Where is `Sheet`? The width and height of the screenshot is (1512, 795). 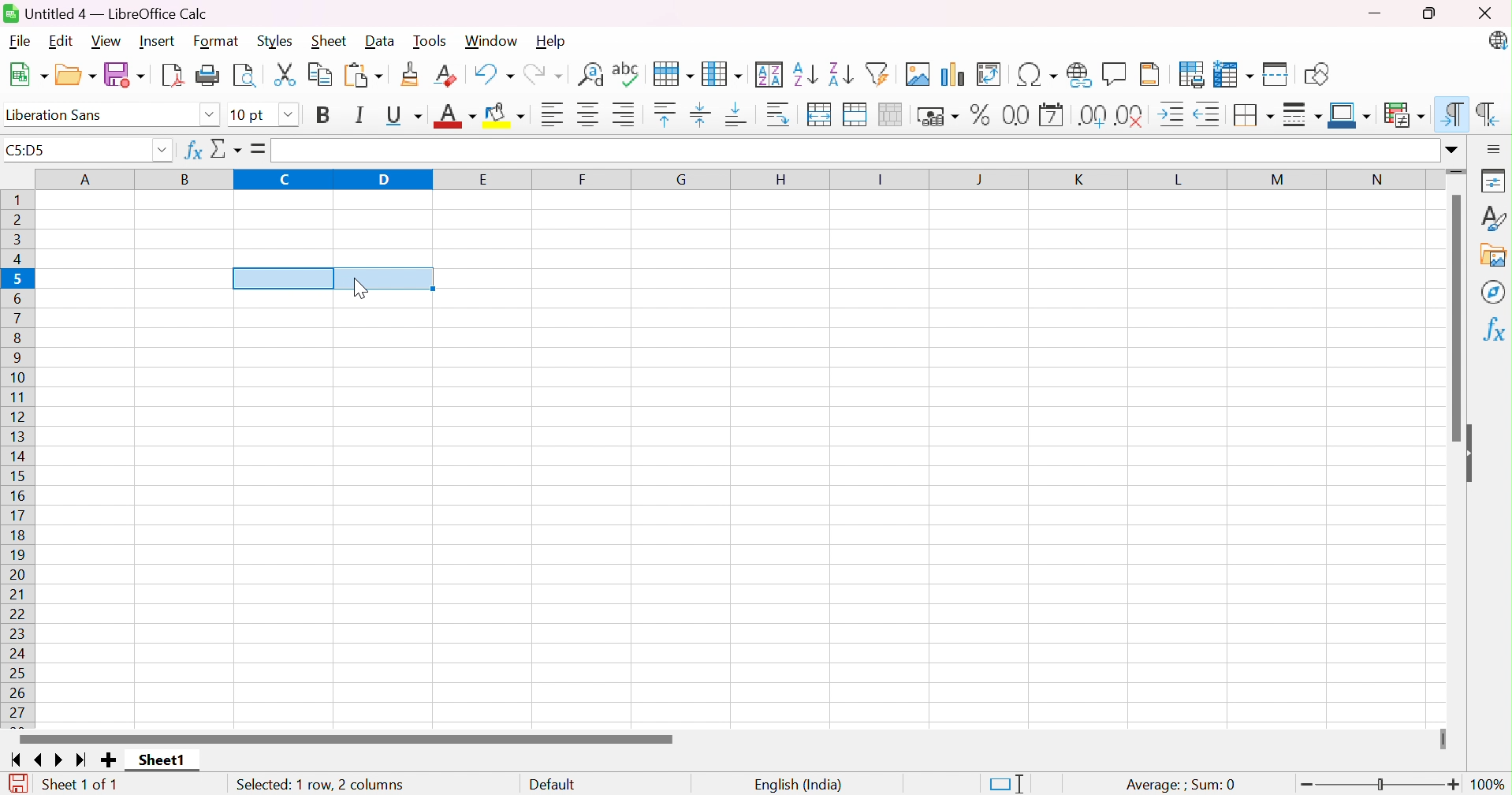 Sheet is located at coordinates (329, 41).